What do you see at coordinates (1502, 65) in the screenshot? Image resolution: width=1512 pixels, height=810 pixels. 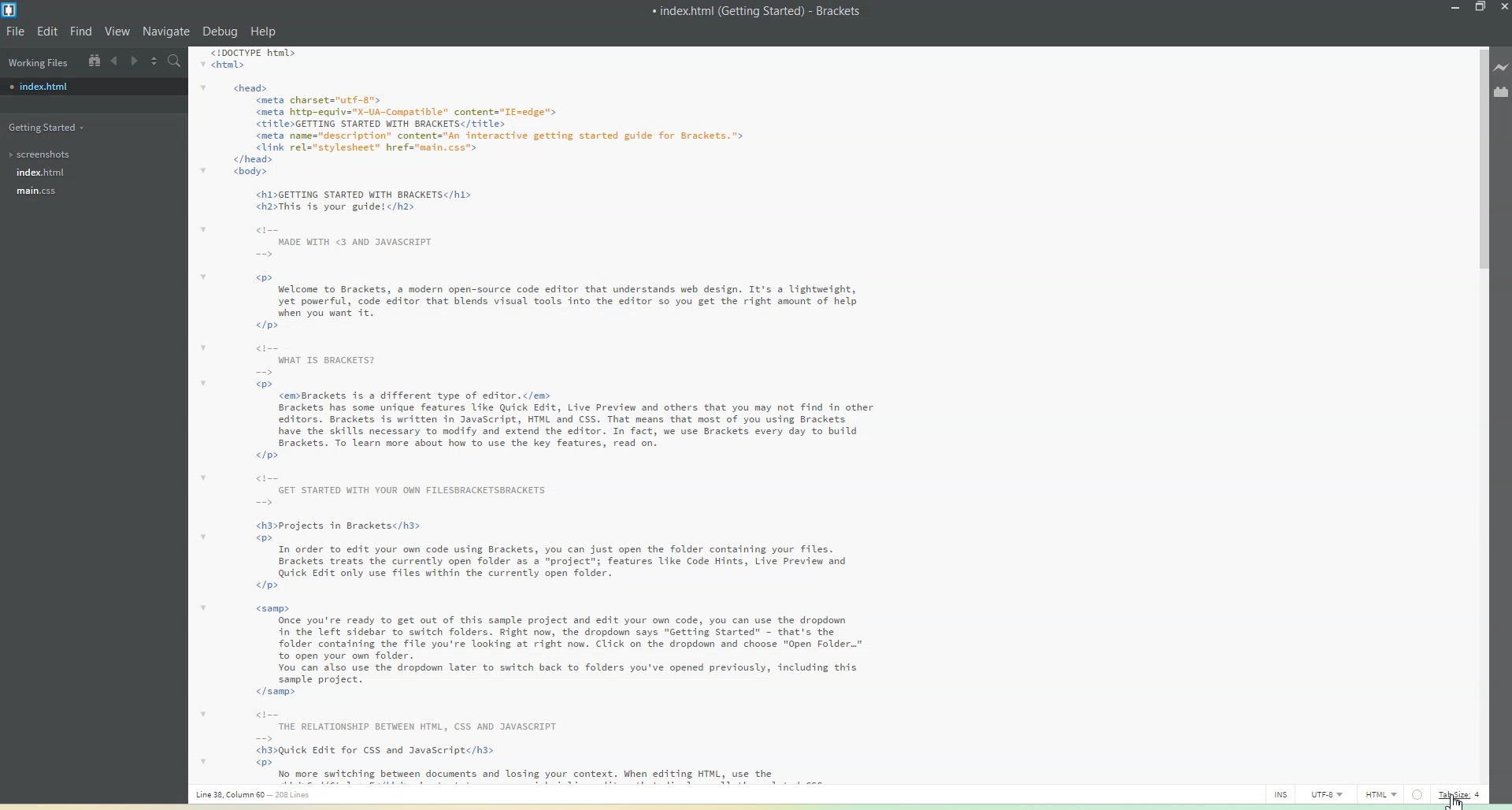 I see `Like Preview` at bounding box center [1502, 65].